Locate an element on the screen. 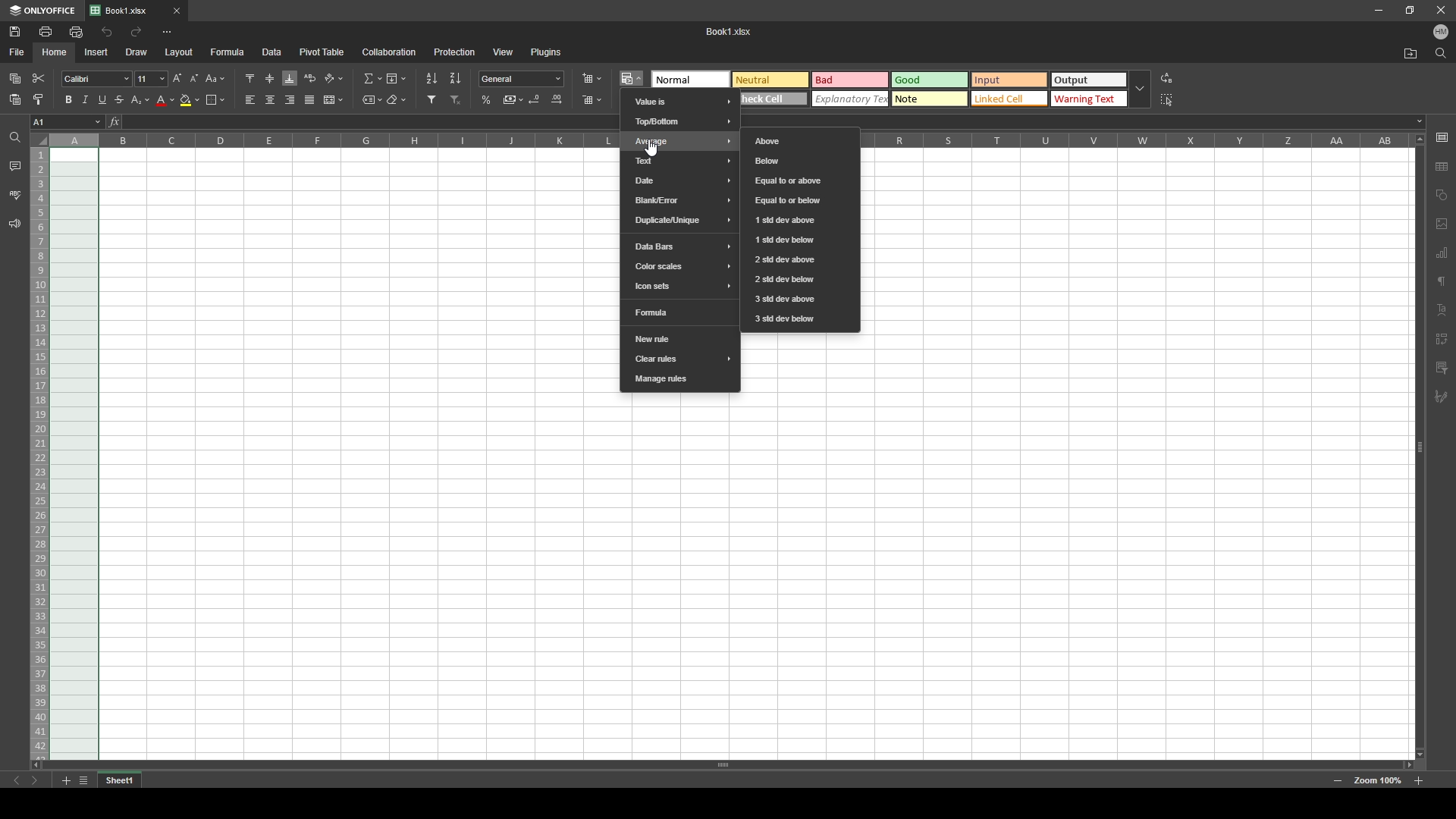 This screenshot has width=1456, height=819. clear is located at coordinates (397, 100).